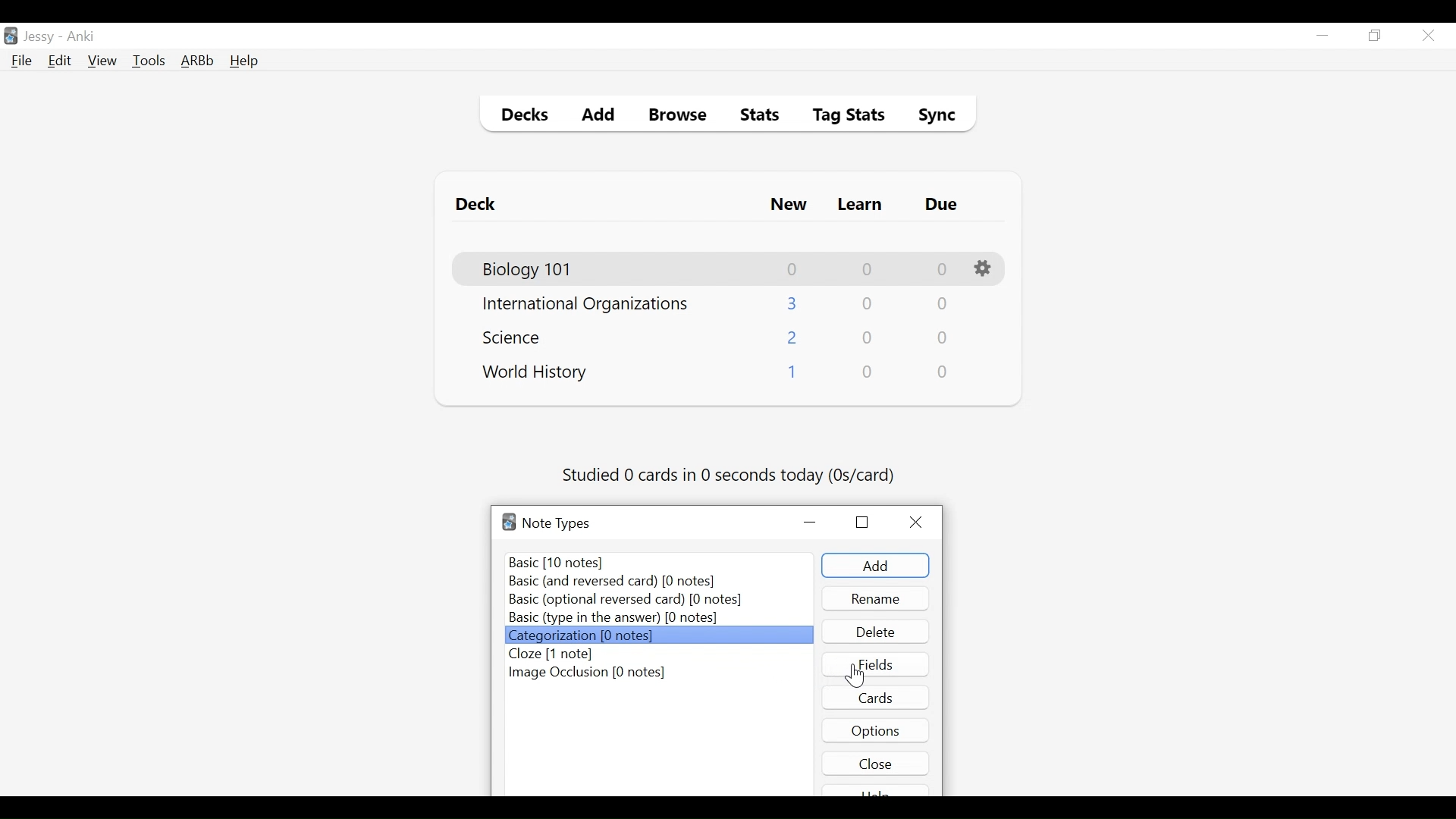  I want to click on Options, so click(876, 730).